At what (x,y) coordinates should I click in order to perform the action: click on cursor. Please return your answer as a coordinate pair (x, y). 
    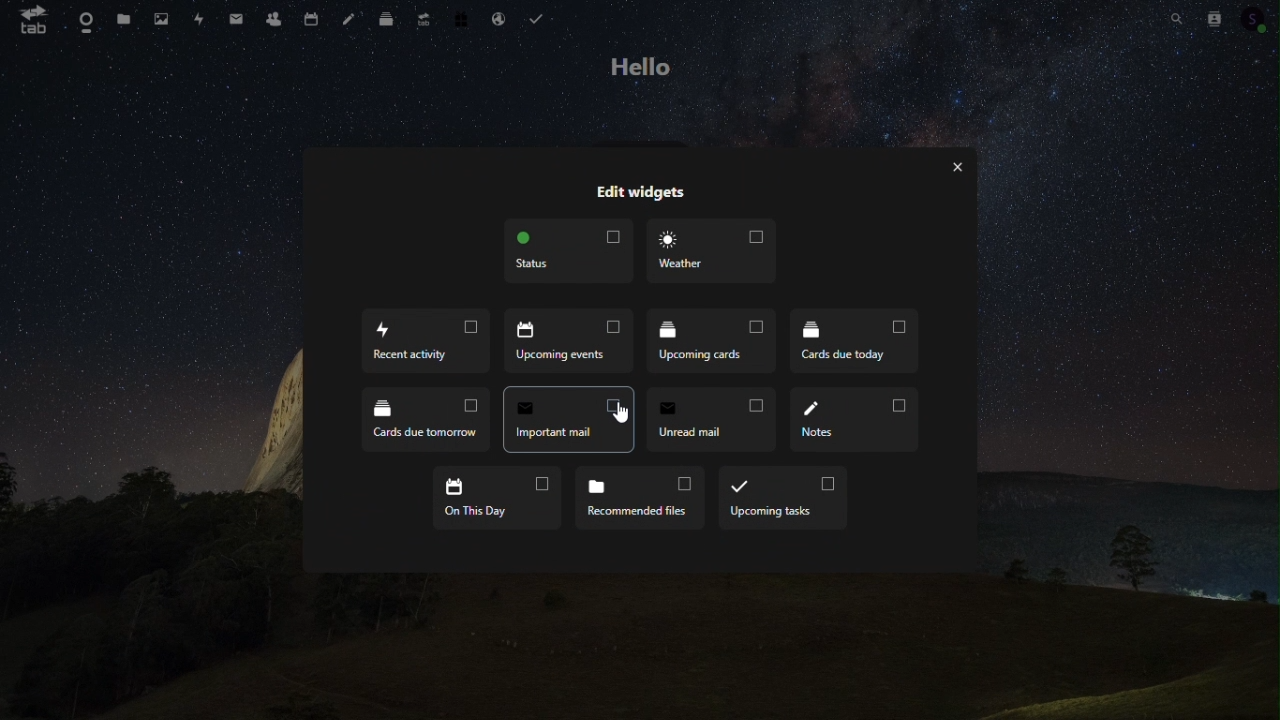
    Looking at the image, I should click on (618, 409).